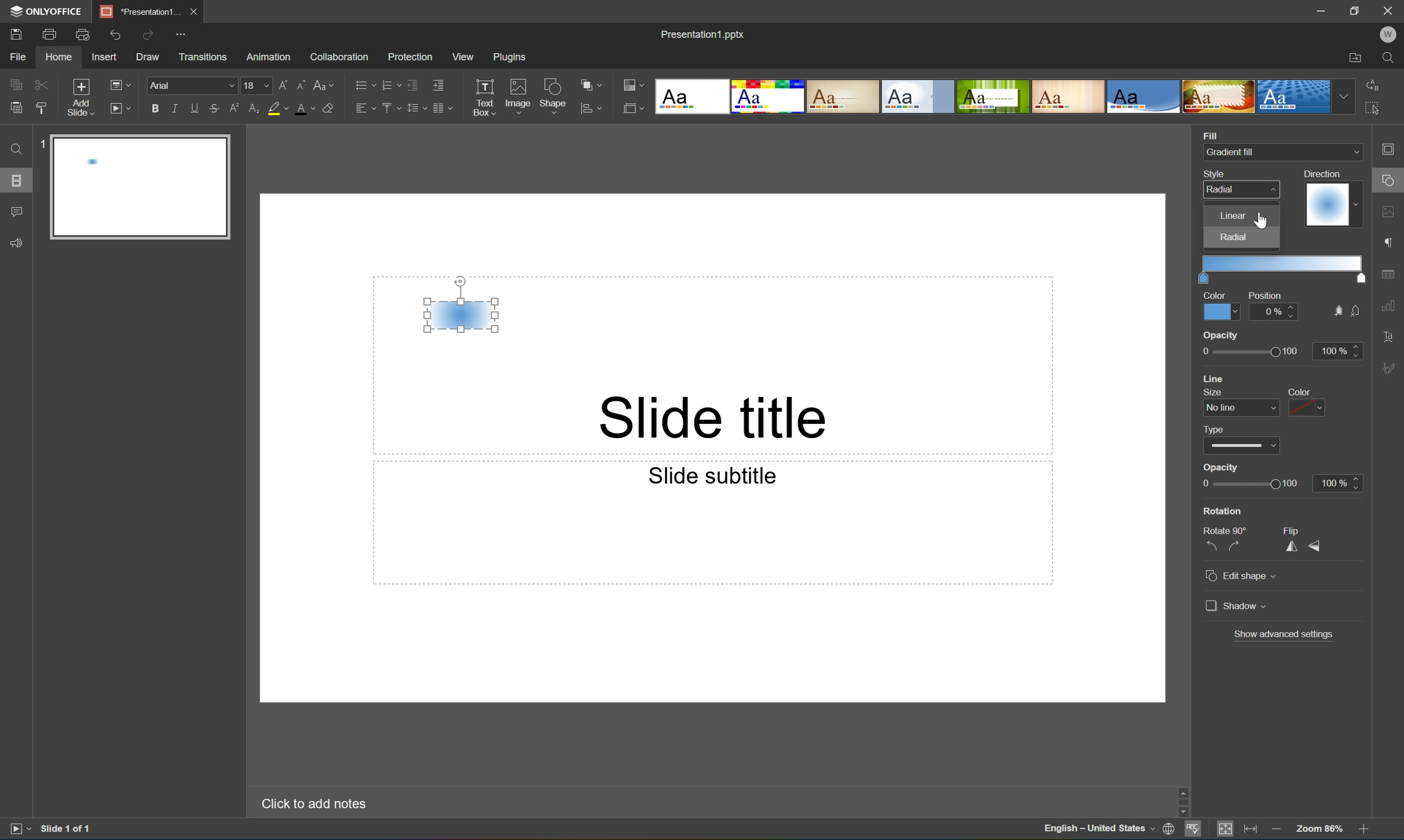 The width and height of the screenshot is (1404, 840). Describe the element at coordinates (1376, 112) in the screenshot. I see `Select all` at that location.